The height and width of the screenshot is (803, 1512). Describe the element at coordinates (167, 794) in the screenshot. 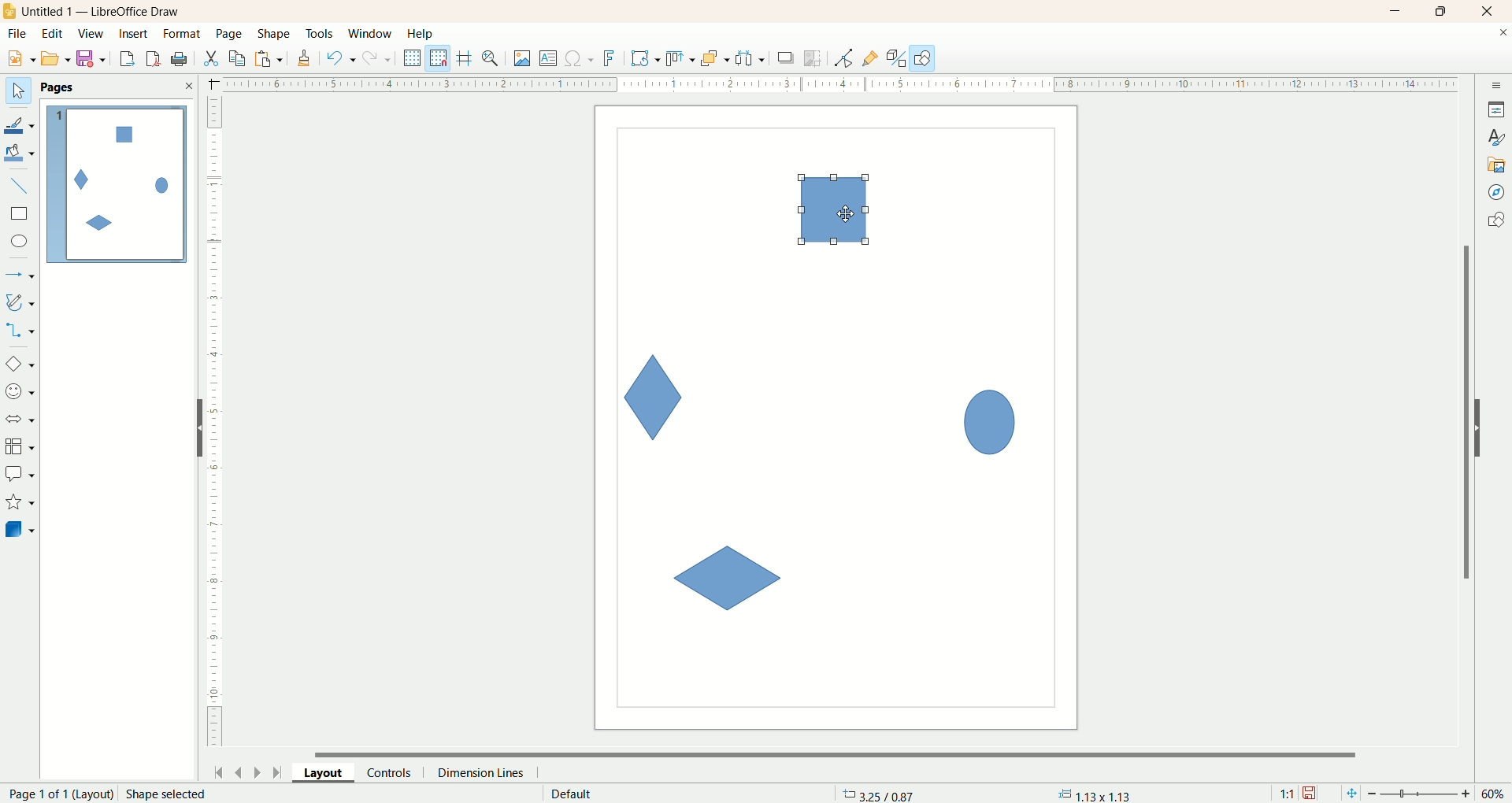

I see `Shape selected` at that location.